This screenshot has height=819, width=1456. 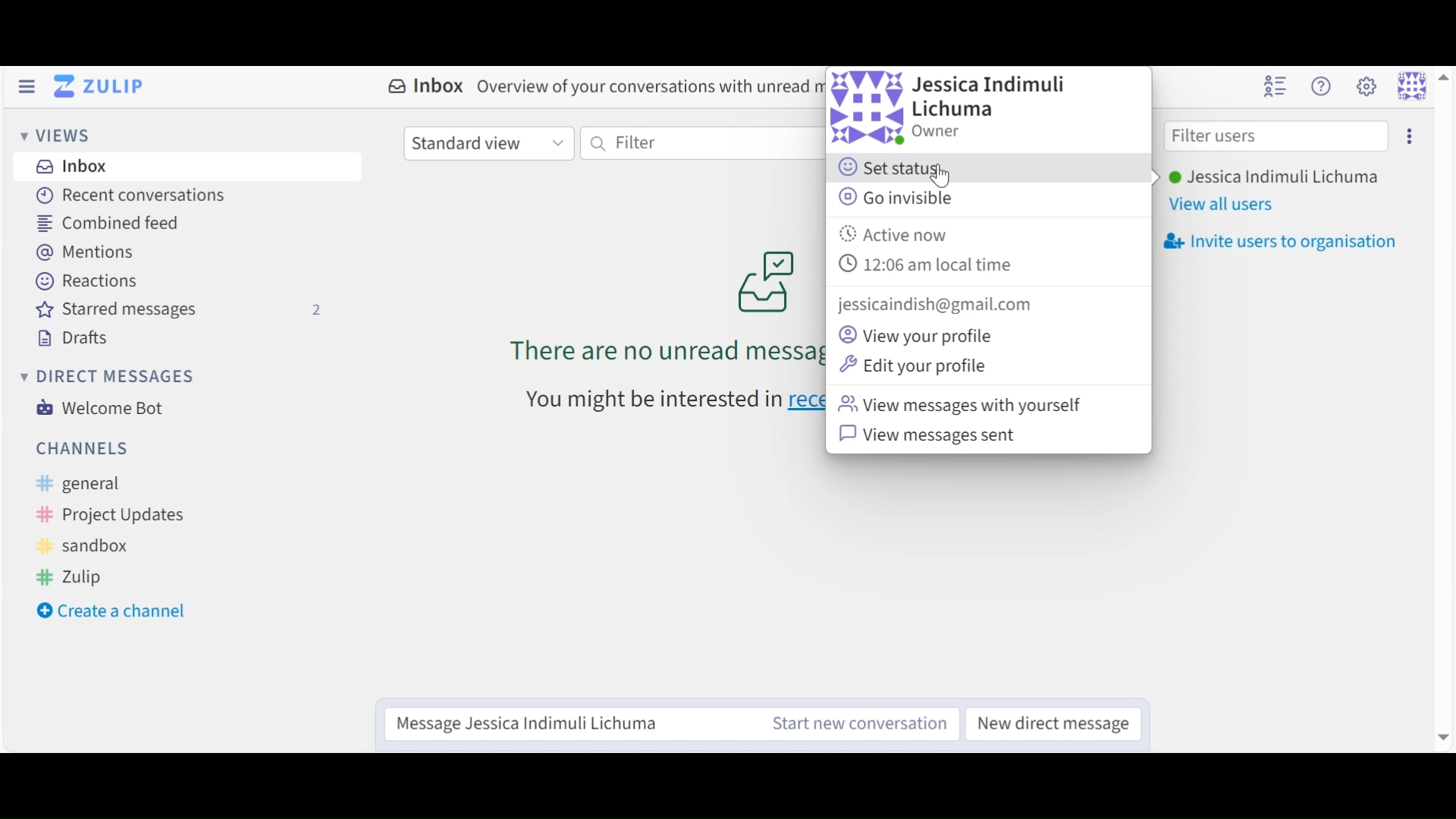 What do you see at coordinates (897, 169) in the screenshot?
I see `Set Status` at bounding box center [897, 169].